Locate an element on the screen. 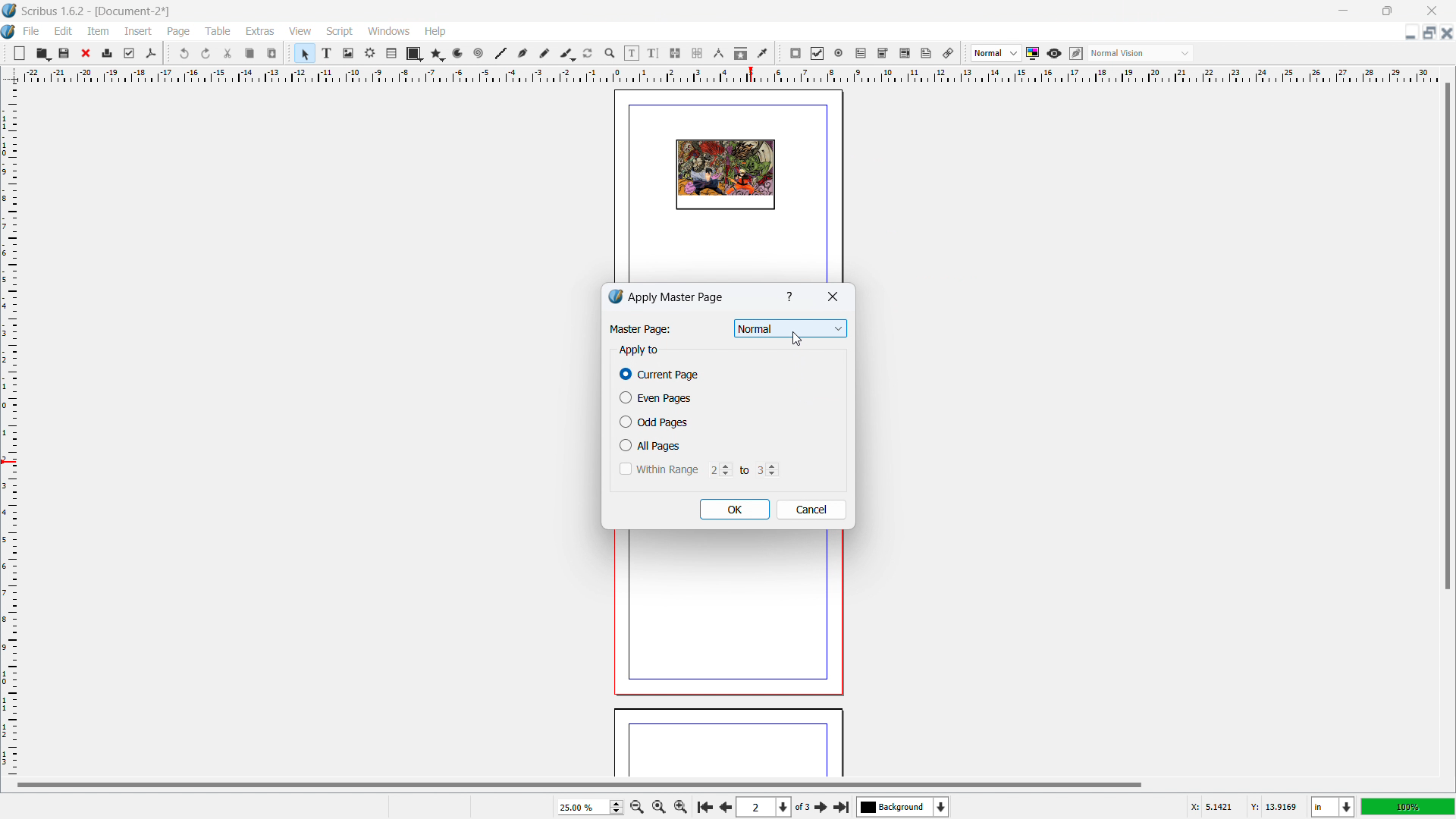 Image resolution: width=1456 pixels, height=819 pixels. unit of measurement is located at coordinates (1333, 808).